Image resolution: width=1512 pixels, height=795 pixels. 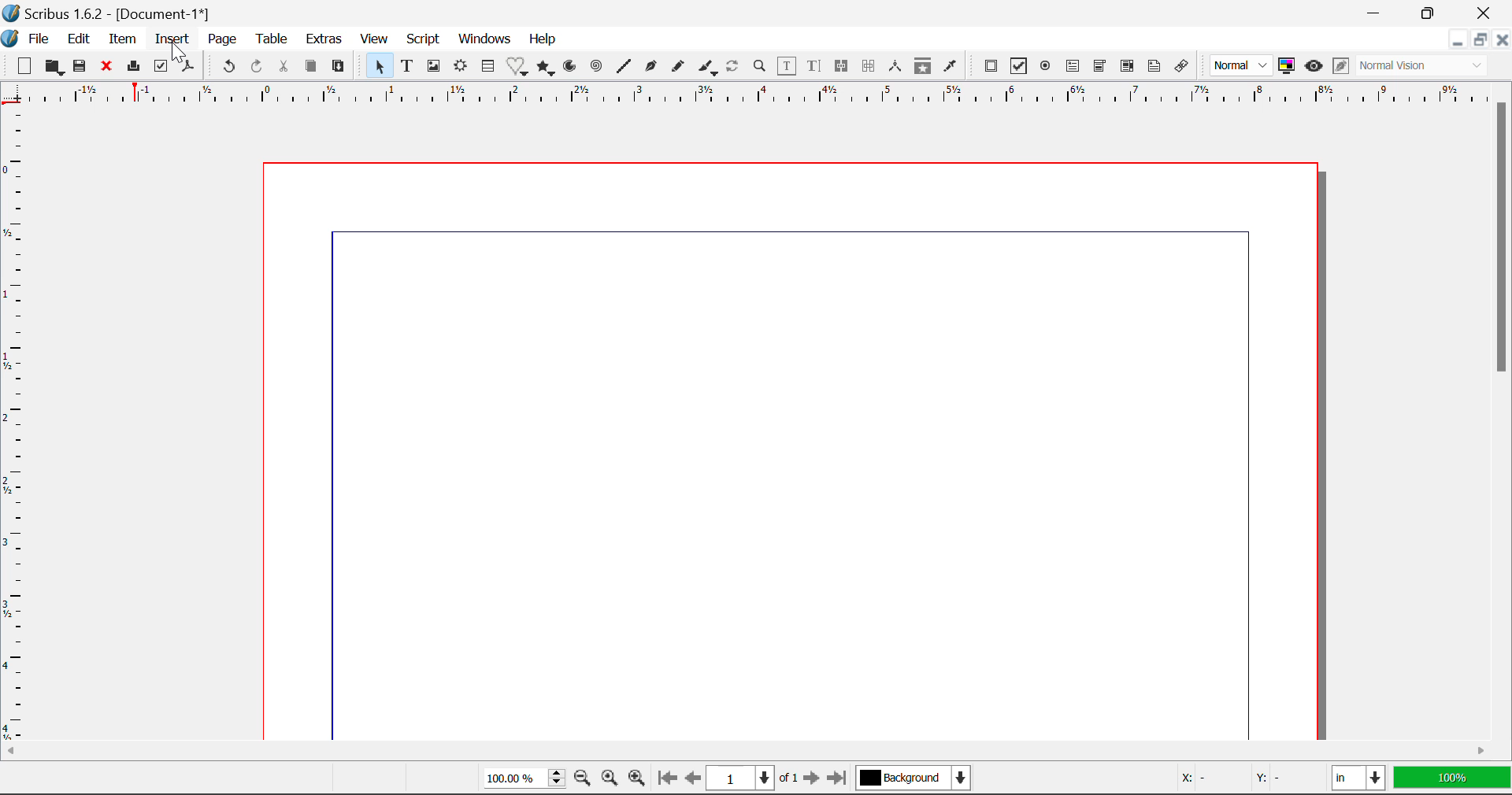 I want to click on Link Text Frames, so click(x=844, y=65).